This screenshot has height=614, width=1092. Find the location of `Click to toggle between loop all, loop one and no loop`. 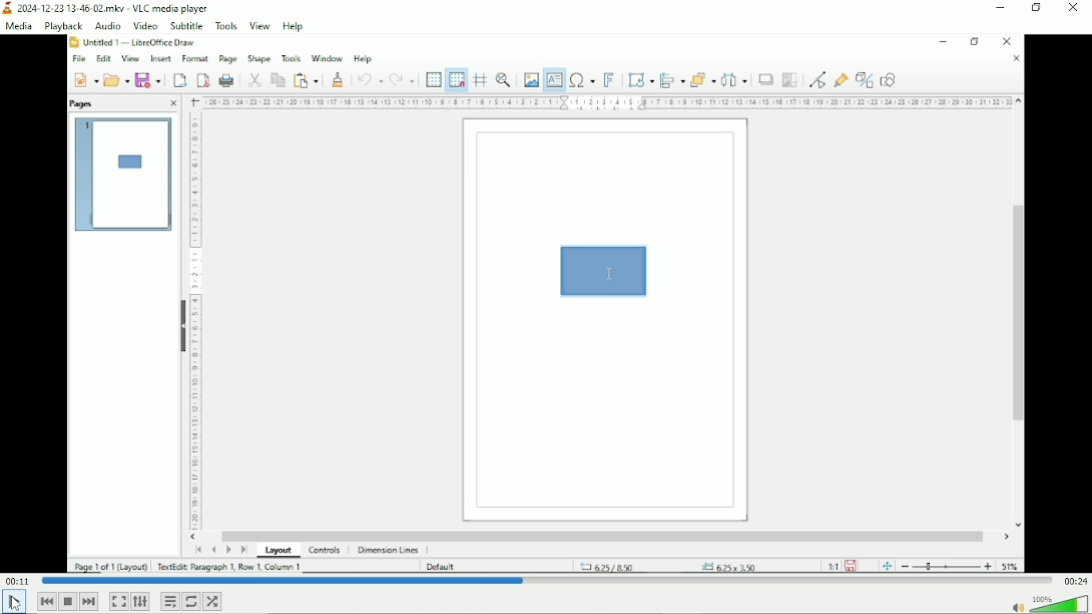

Click to toggle between loop all, loop one and no loop is located at coordinates (192, 601).